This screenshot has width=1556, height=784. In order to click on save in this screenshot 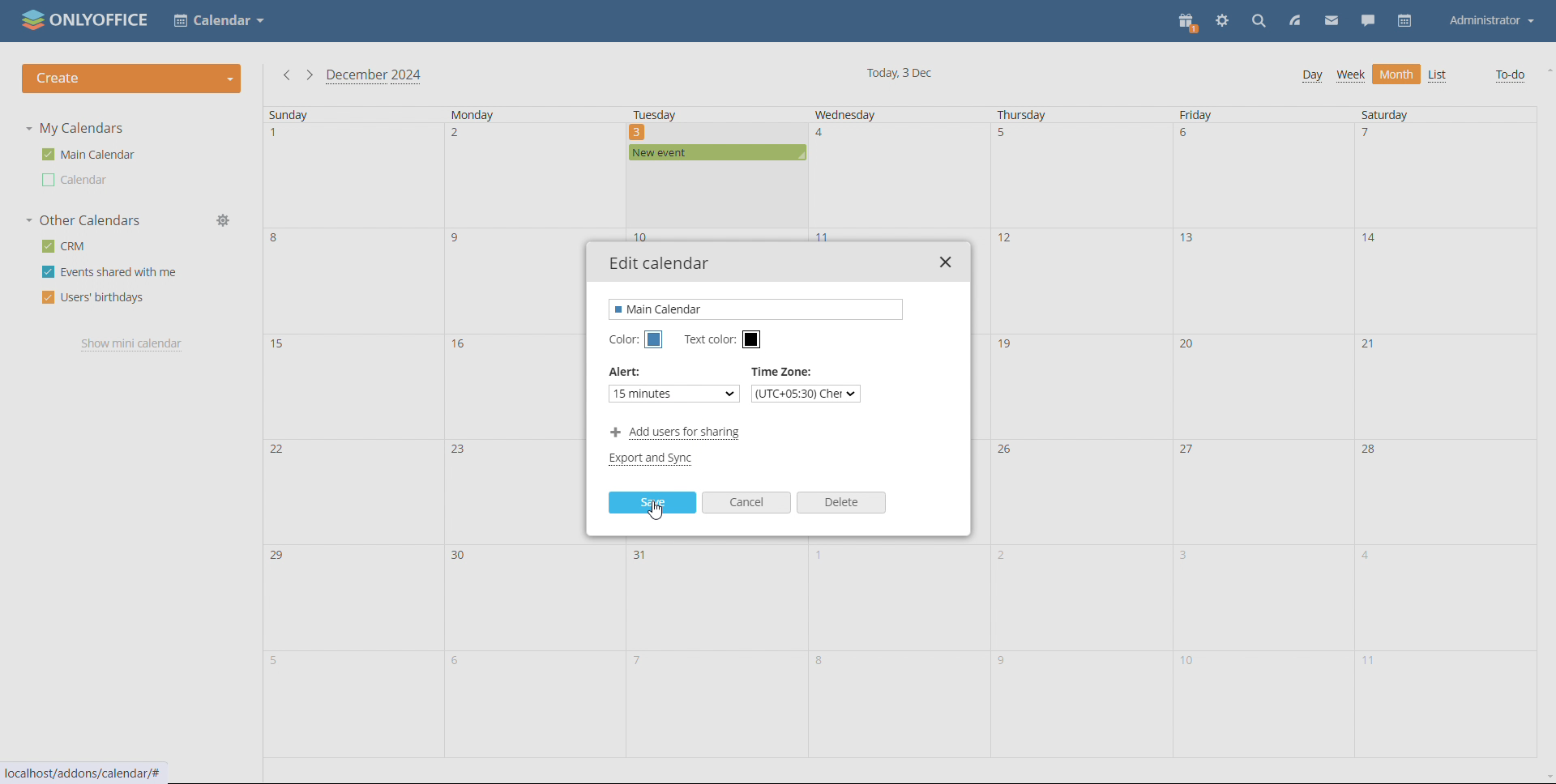, I will do `click(652, 502)`.